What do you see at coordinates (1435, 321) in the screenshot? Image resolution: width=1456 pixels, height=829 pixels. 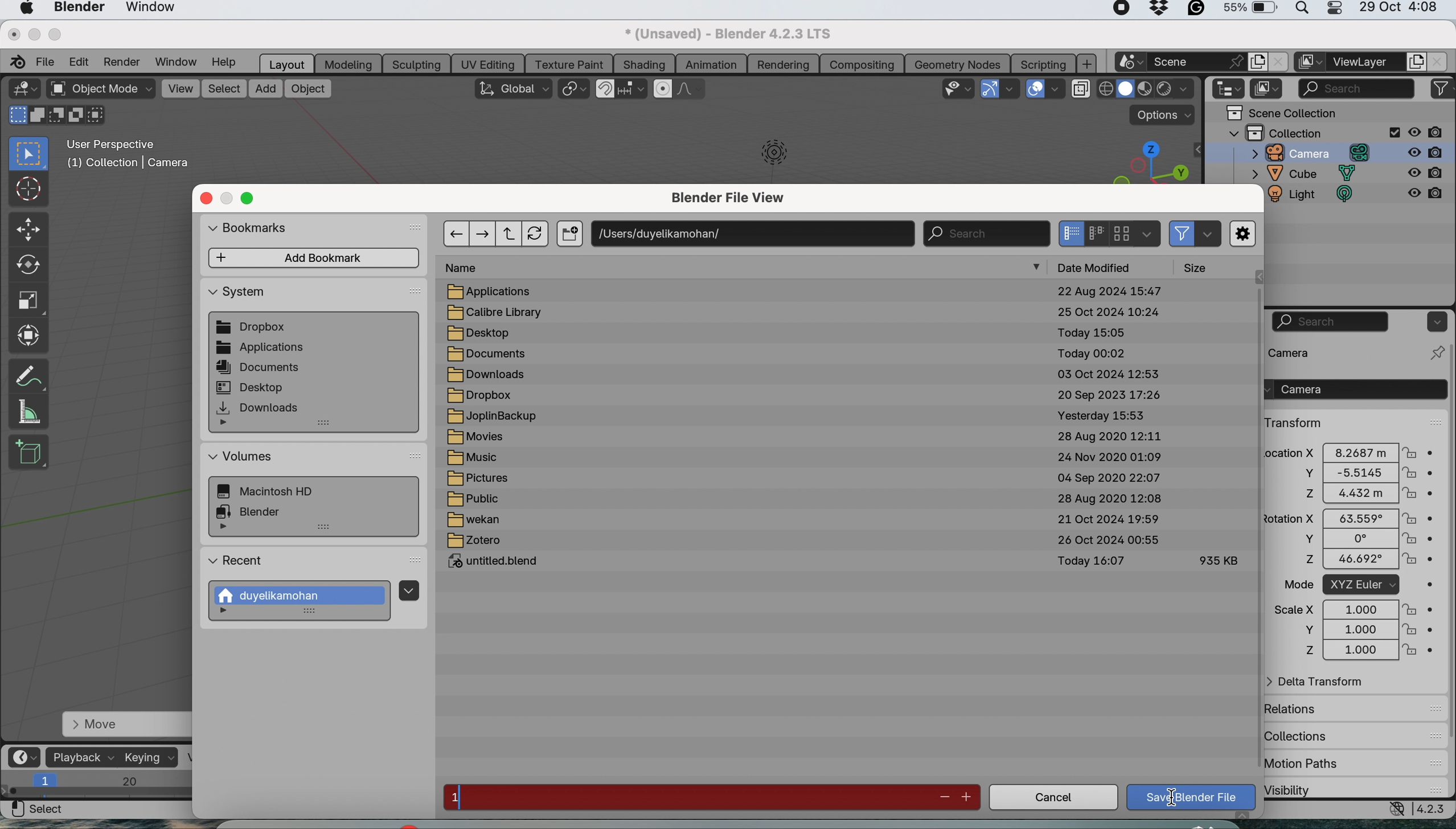 I see `options` at bounding box center [1435, 321].